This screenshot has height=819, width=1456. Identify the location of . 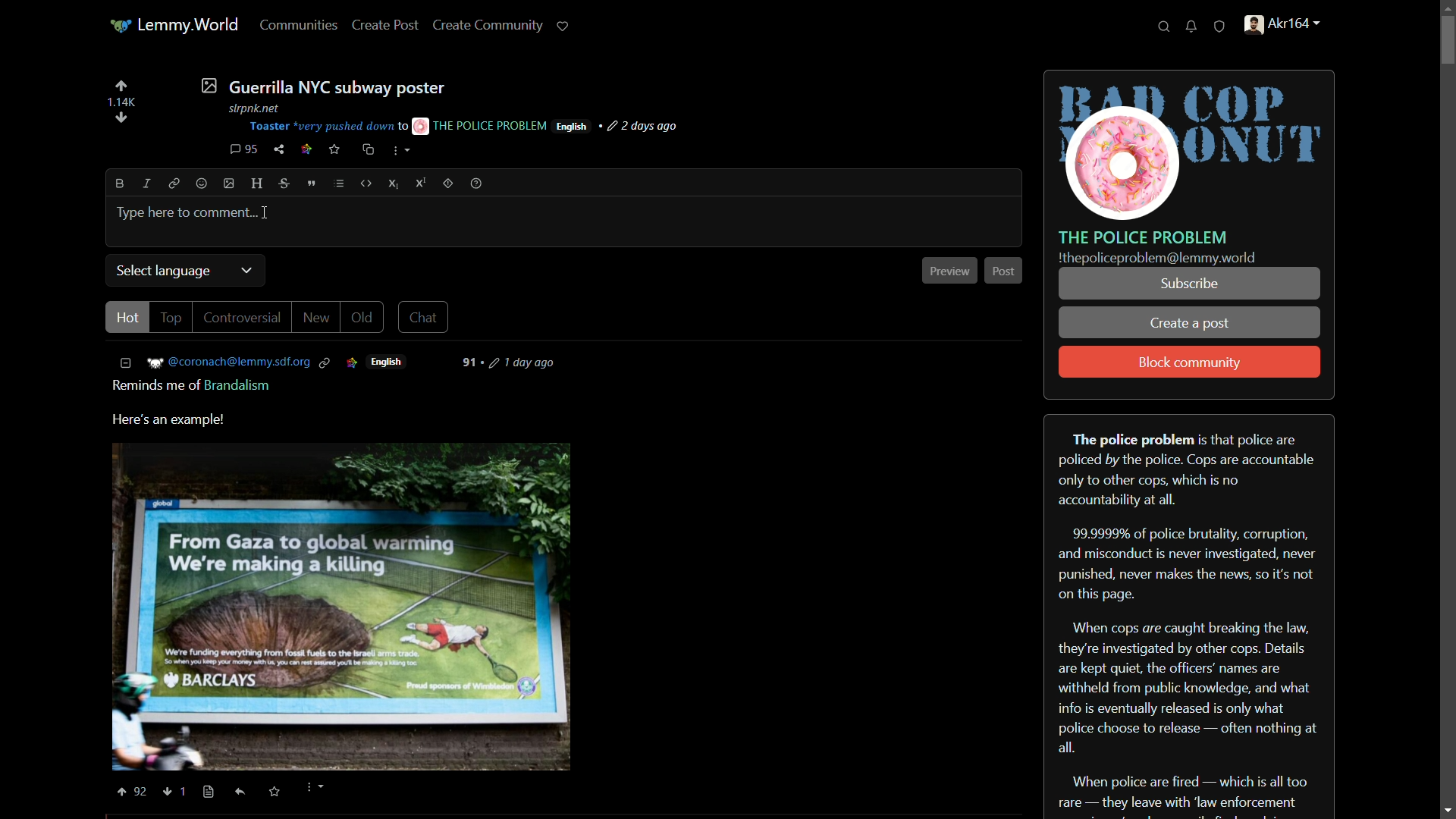
(471, 365).